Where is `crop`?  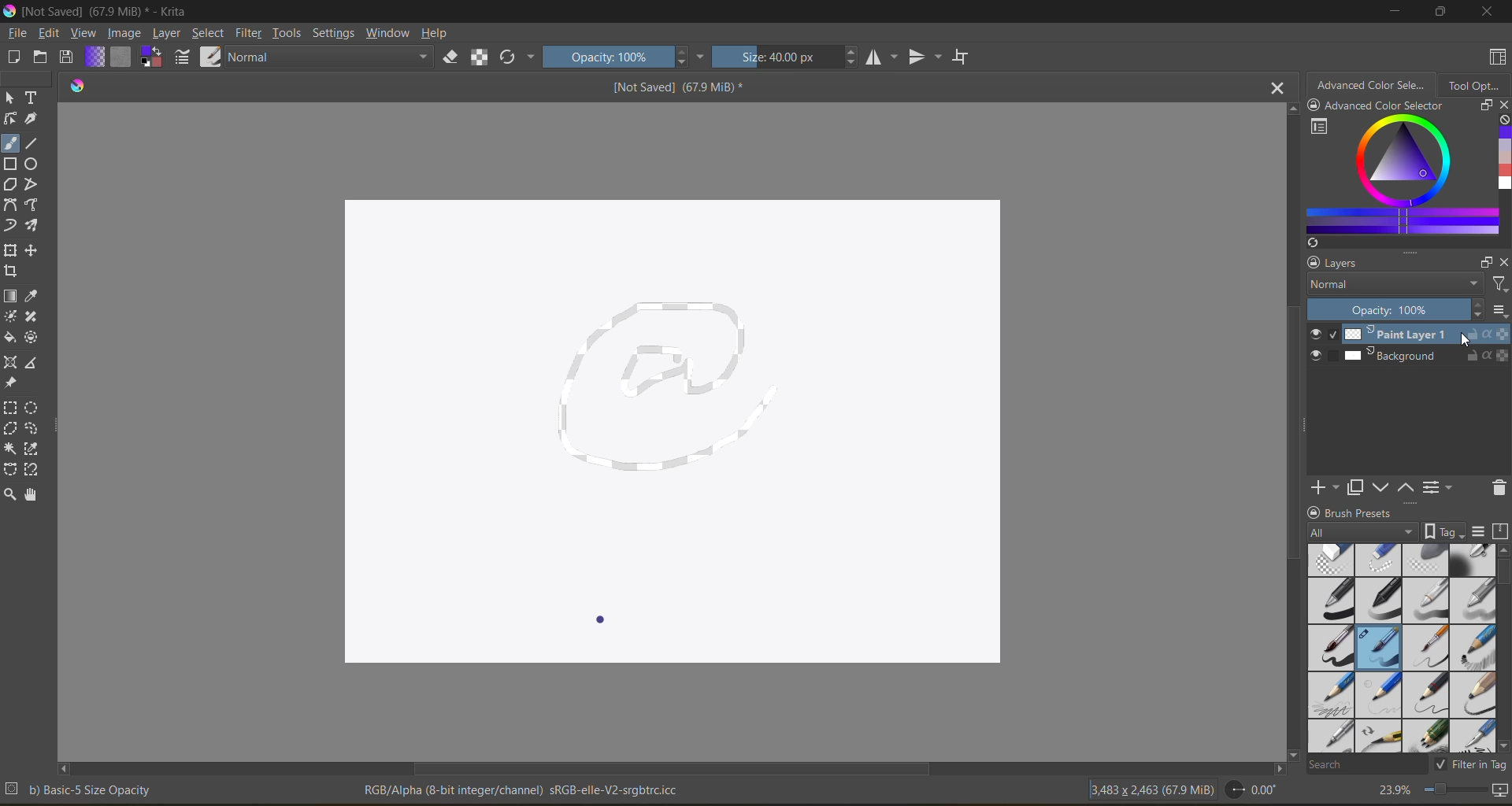
crop is located at coordinates (10, 272).